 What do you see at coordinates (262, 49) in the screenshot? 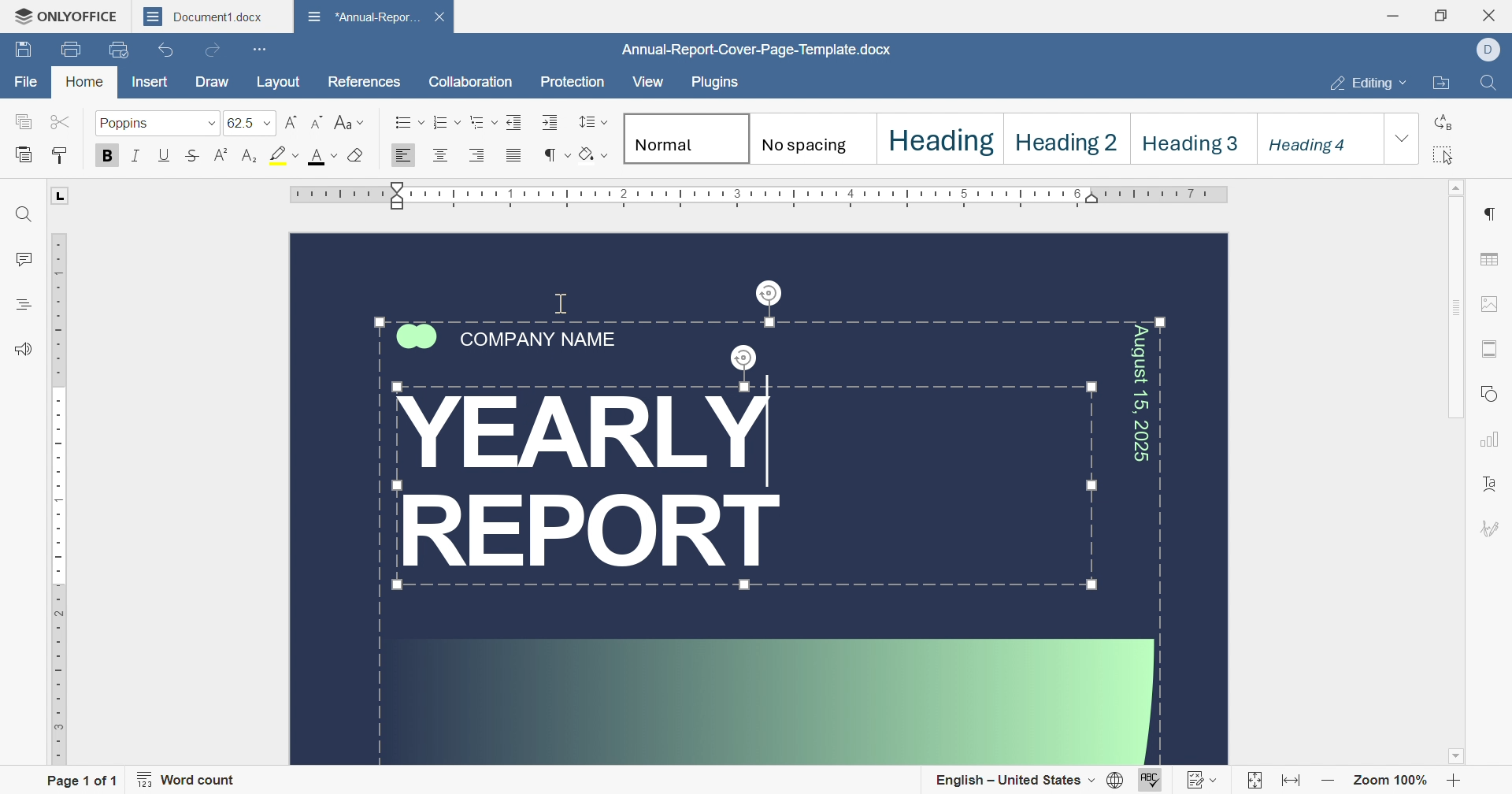
I see `customize quick access settings` at bounding box center [262, 49].